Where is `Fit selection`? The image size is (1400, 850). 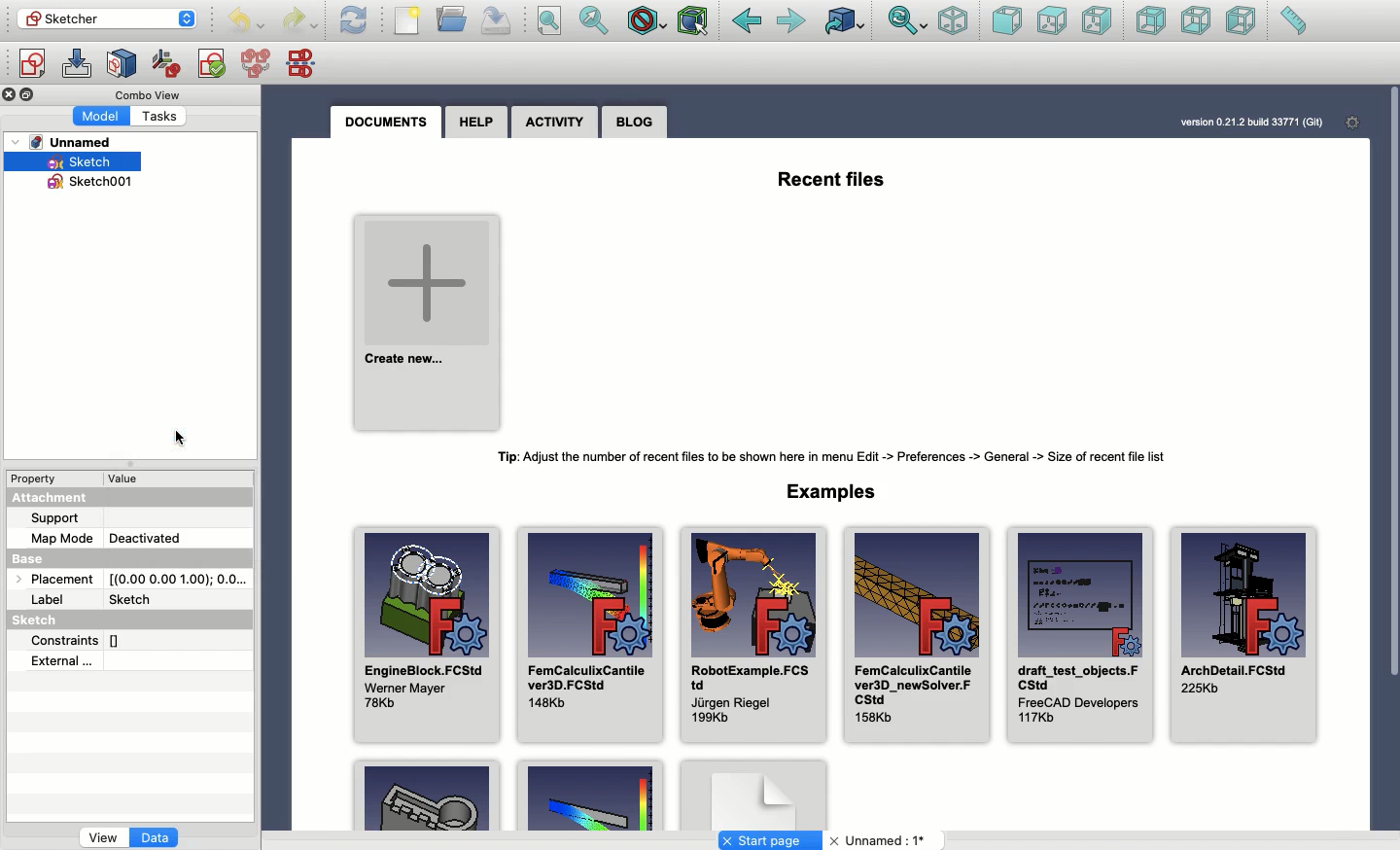
Fit selection is located at coordinates (595, 20).